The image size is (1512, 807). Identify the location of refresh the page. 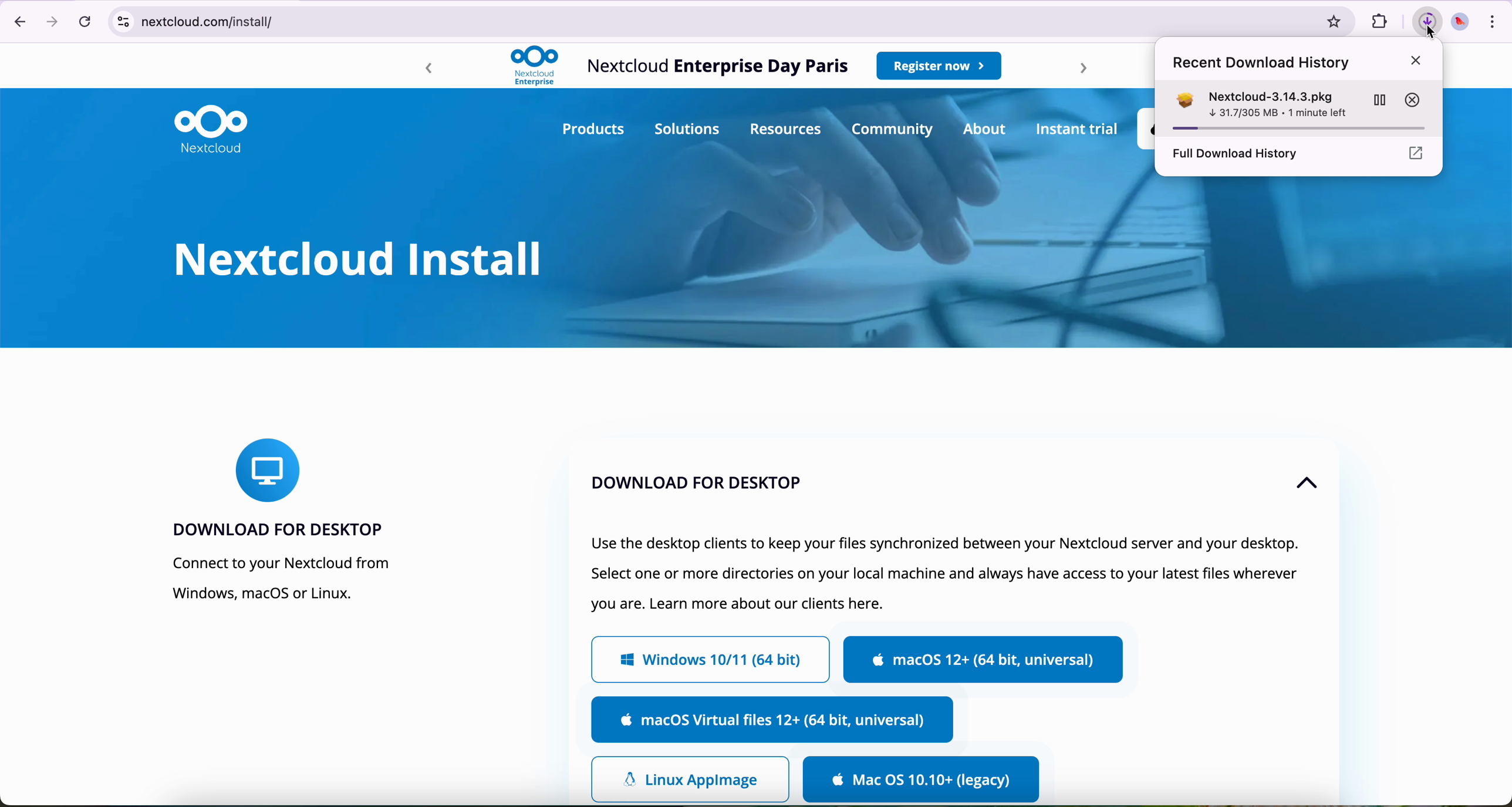
(88, 22).